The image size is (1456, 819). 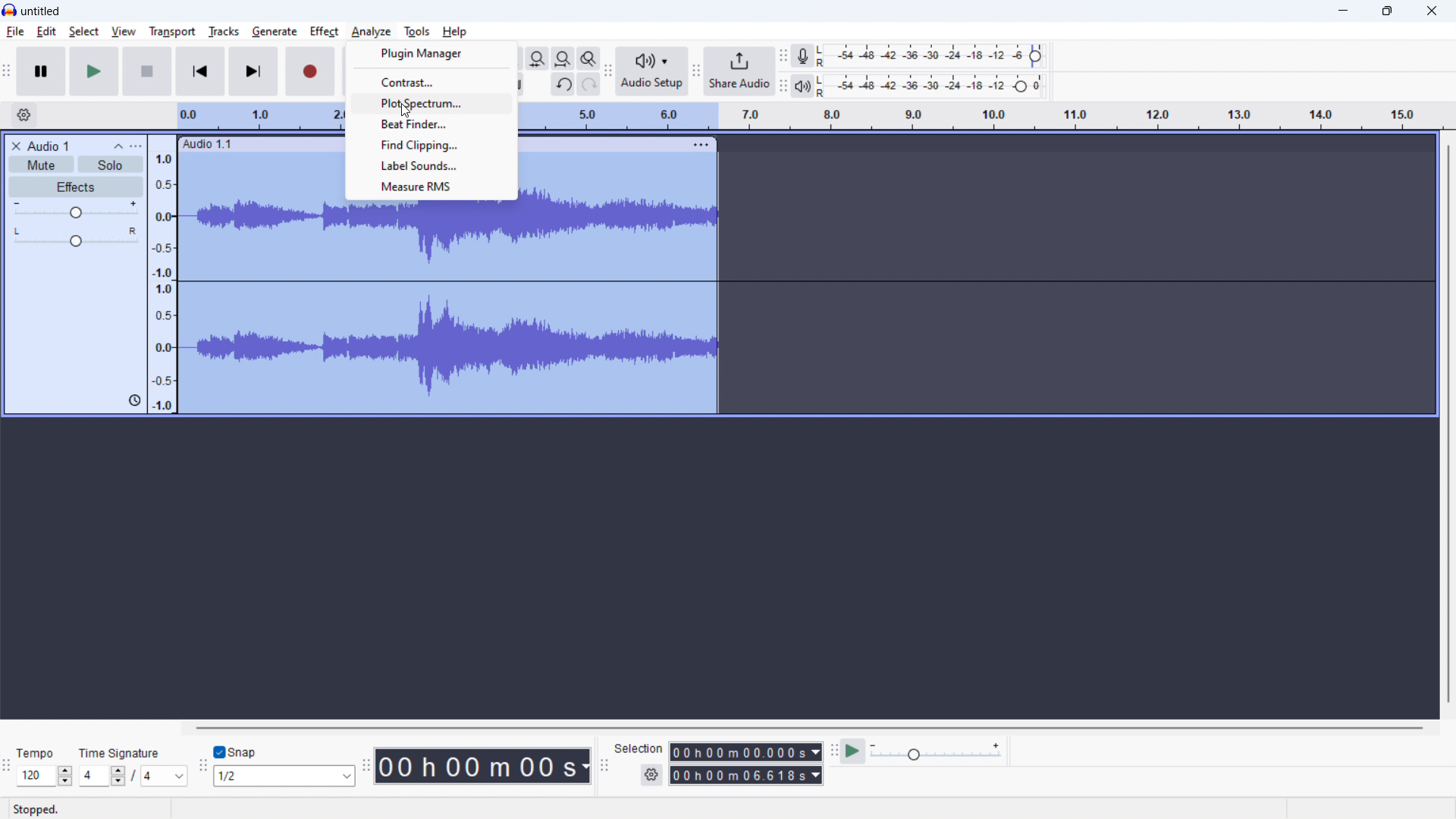 I want to click on Tempo, so click(x=38, y=753).